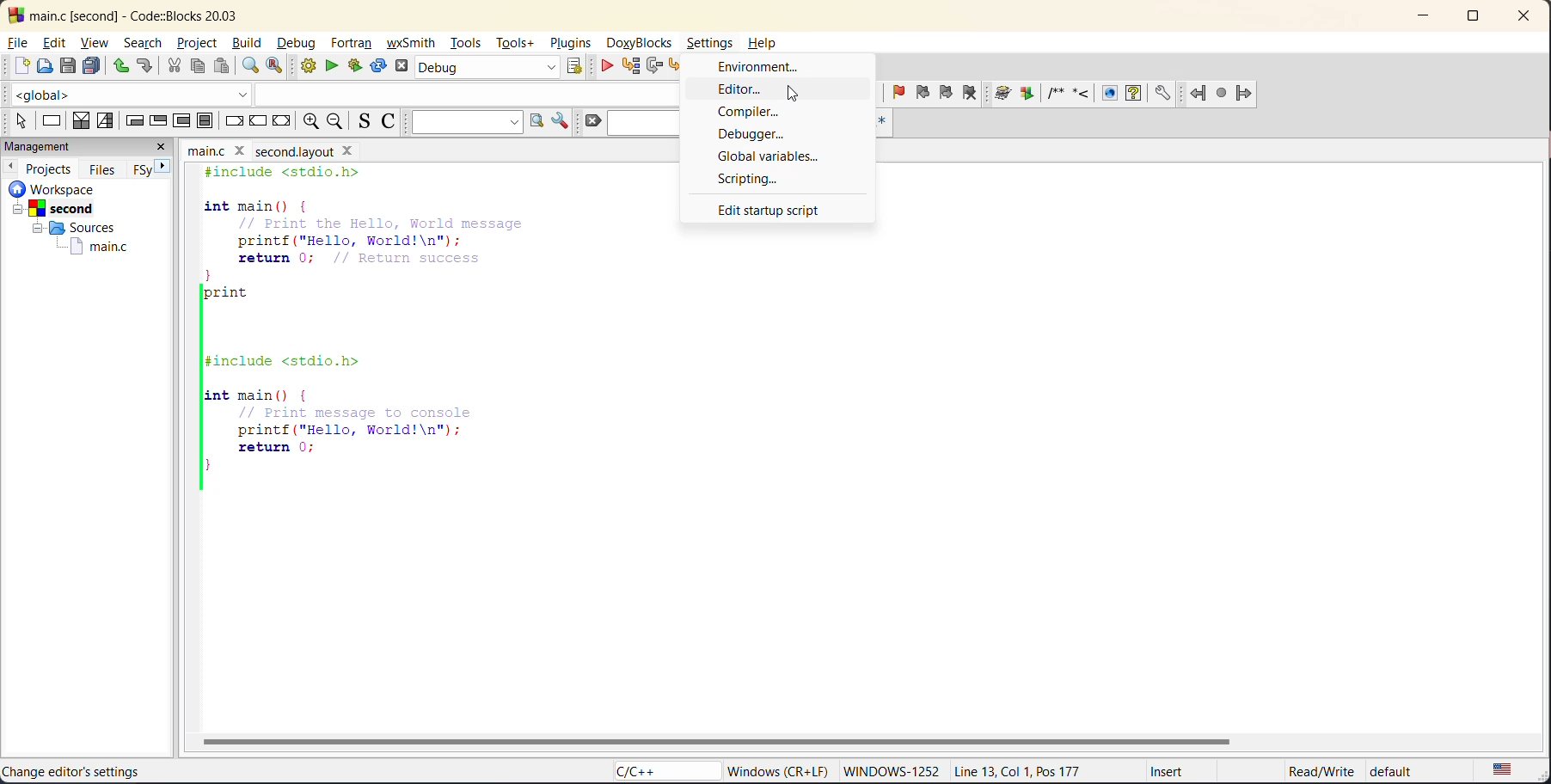  Describe the element at coordinates (464, 121) in the screenshot. I see `text to search` at that location.